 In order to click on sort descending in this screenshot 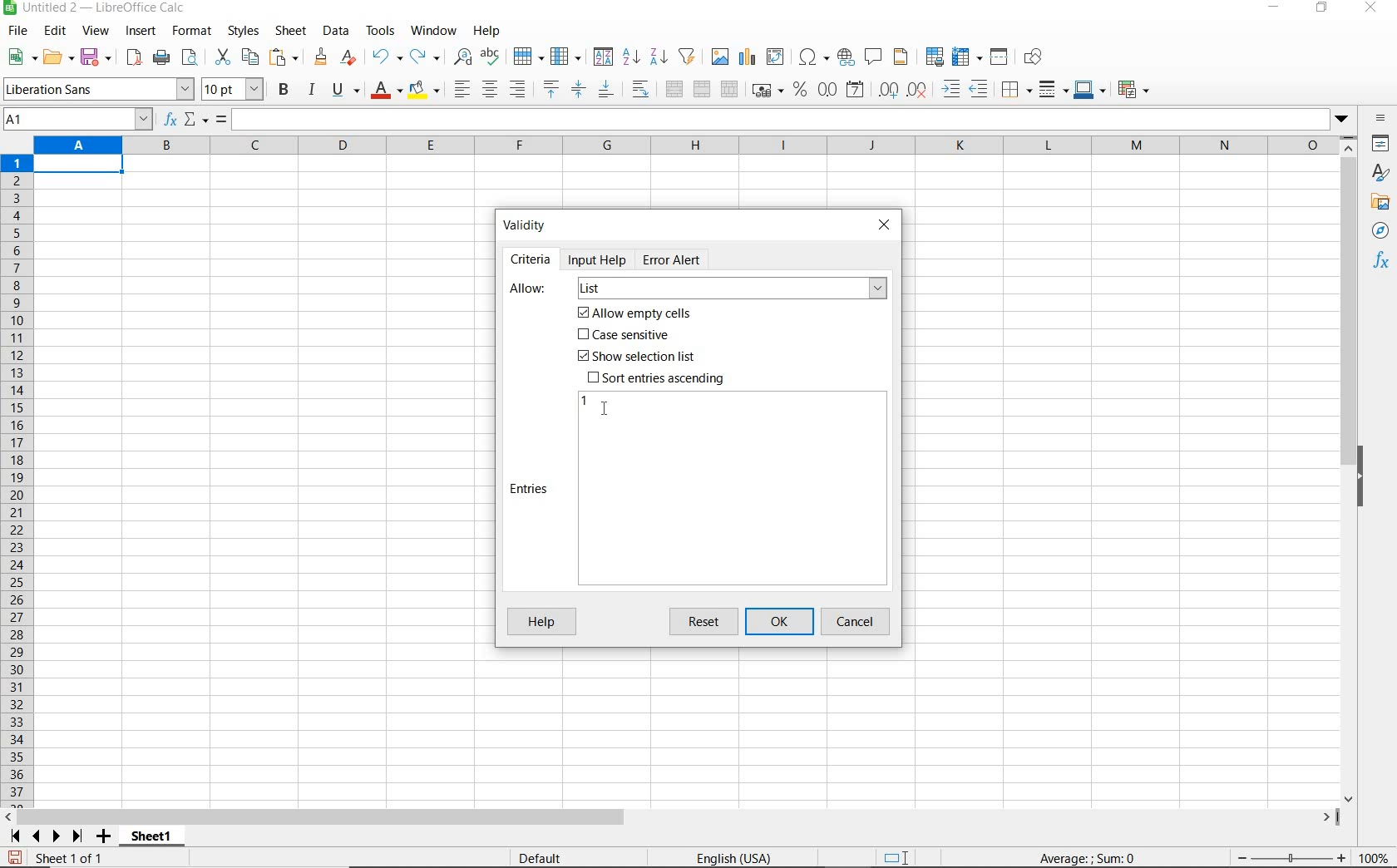, I will do `click(659, 56)`.